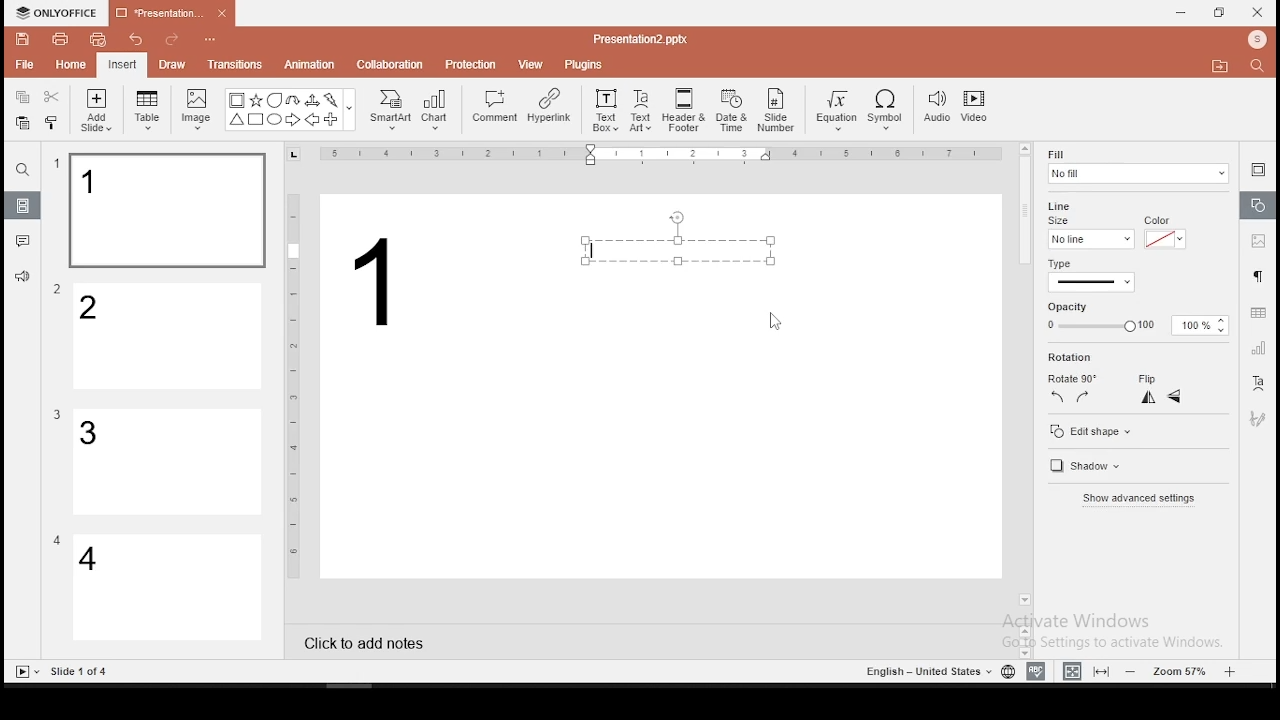  I want to click on Flash, so click(333, 100).